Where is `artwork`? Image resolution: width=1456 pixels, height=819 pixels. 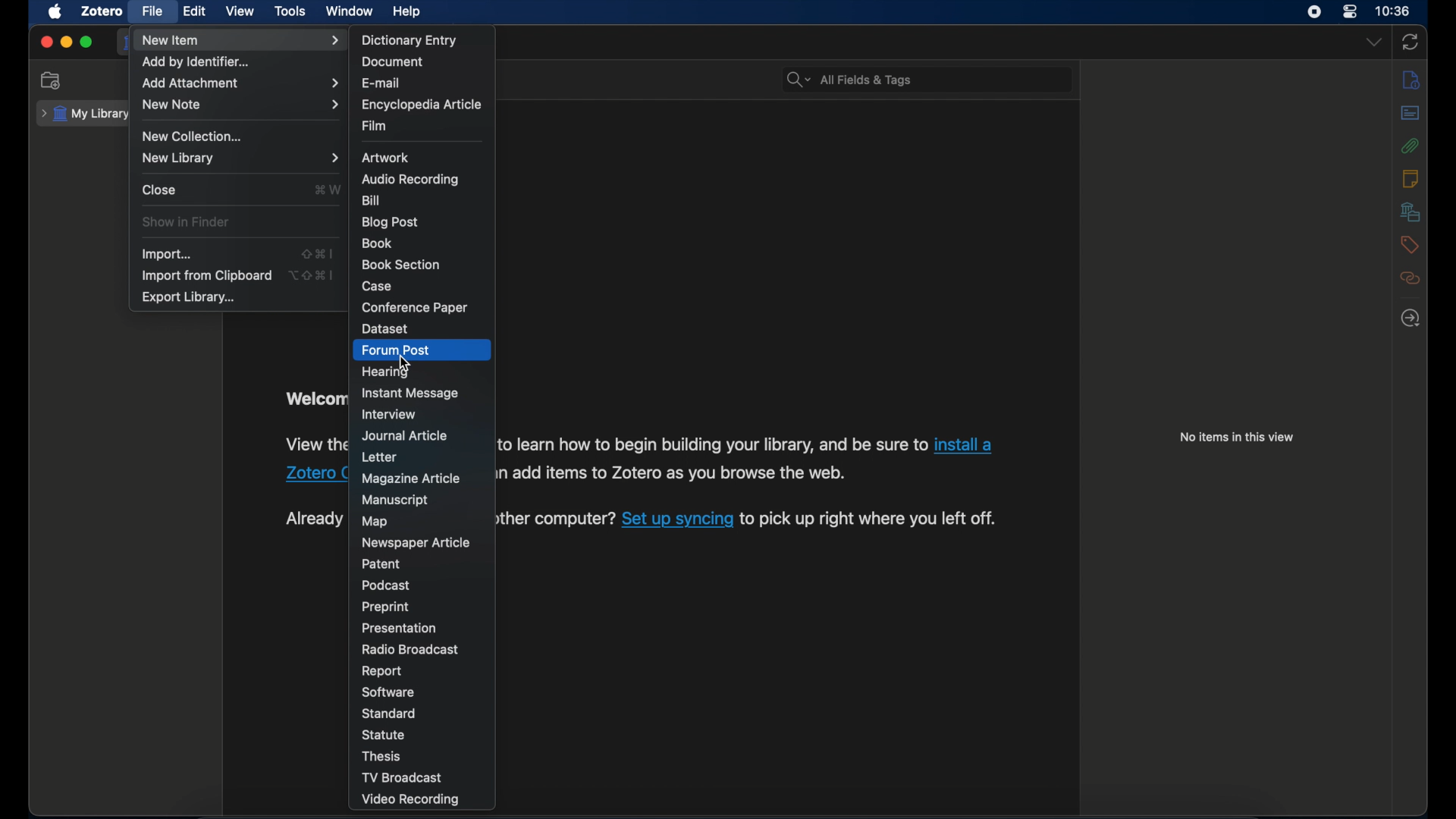
artwork is located at coordinates (385, 158).